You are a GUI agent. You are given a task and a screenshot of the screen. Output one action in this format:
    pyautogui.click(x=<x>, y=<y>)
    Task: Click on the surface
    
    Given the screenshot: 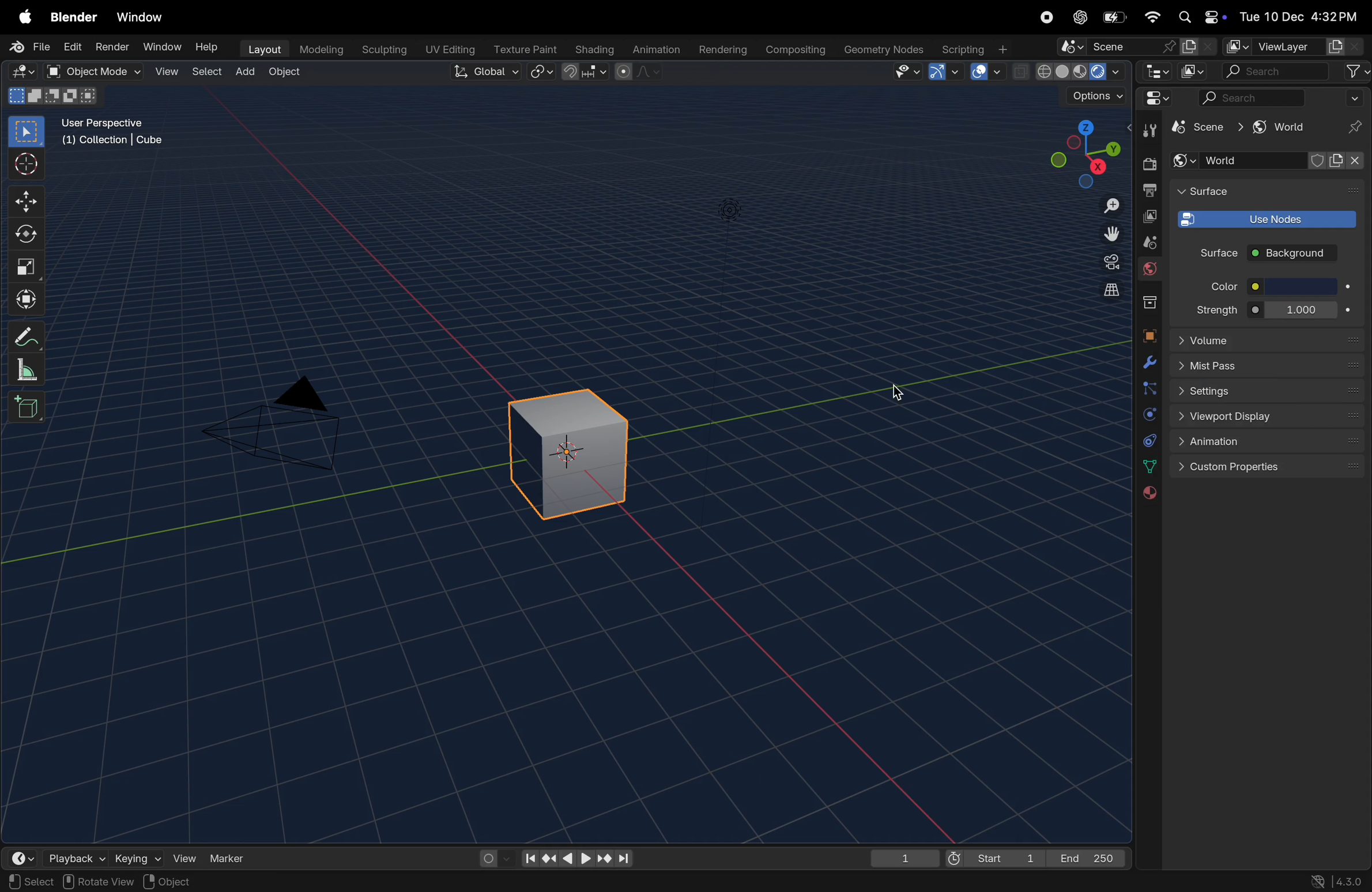 What is the action you would take?
    pyautogui.click(x=1213, y=253)
    